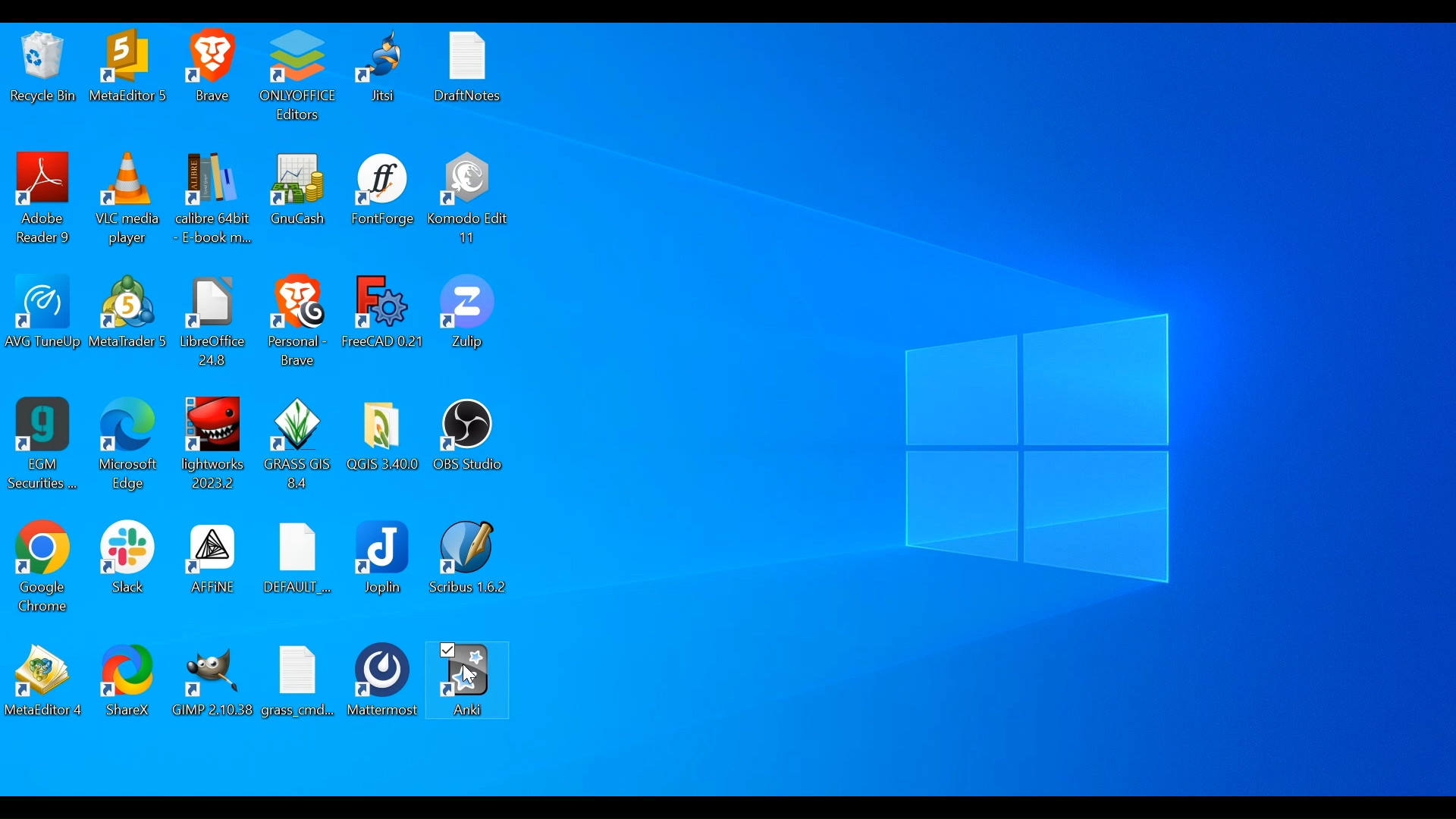 The image size is (1456, 819). I want to click on Gimp Desktop icon, so click(213, 682).